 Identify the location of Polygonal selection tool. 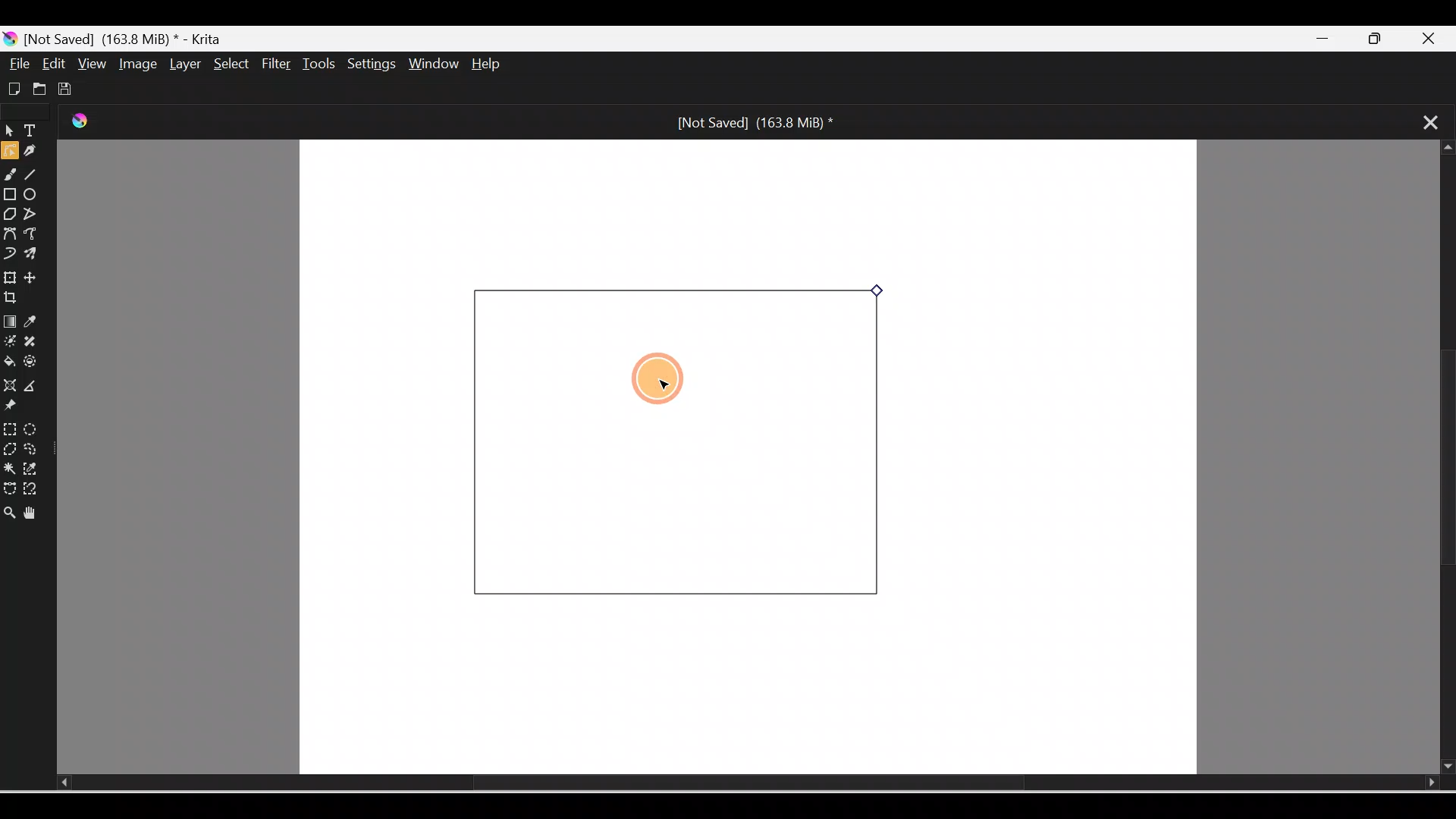
(10, 447).